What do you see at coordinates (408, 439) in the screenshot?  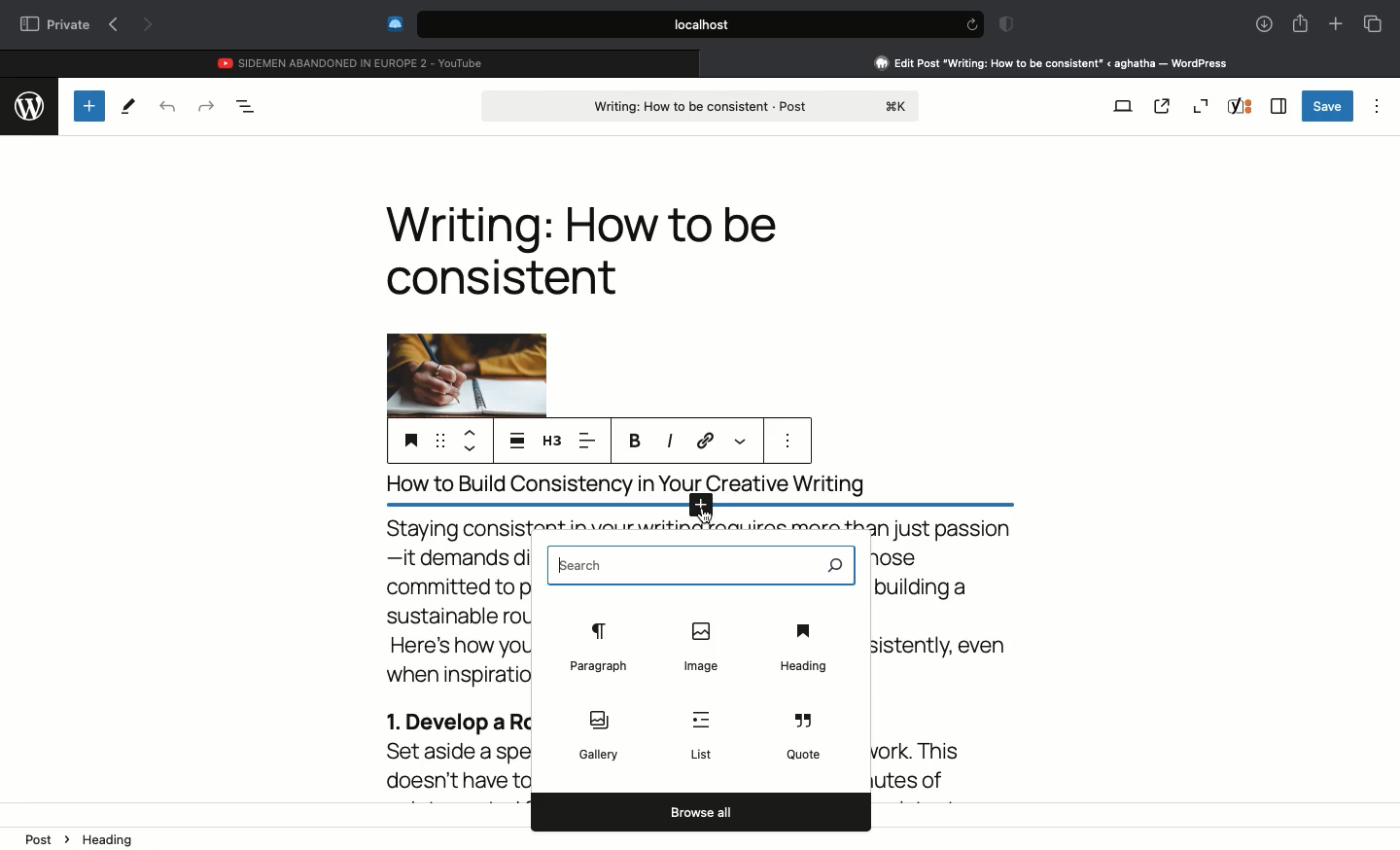 I see `Heading` at bounding box center [408, 439].